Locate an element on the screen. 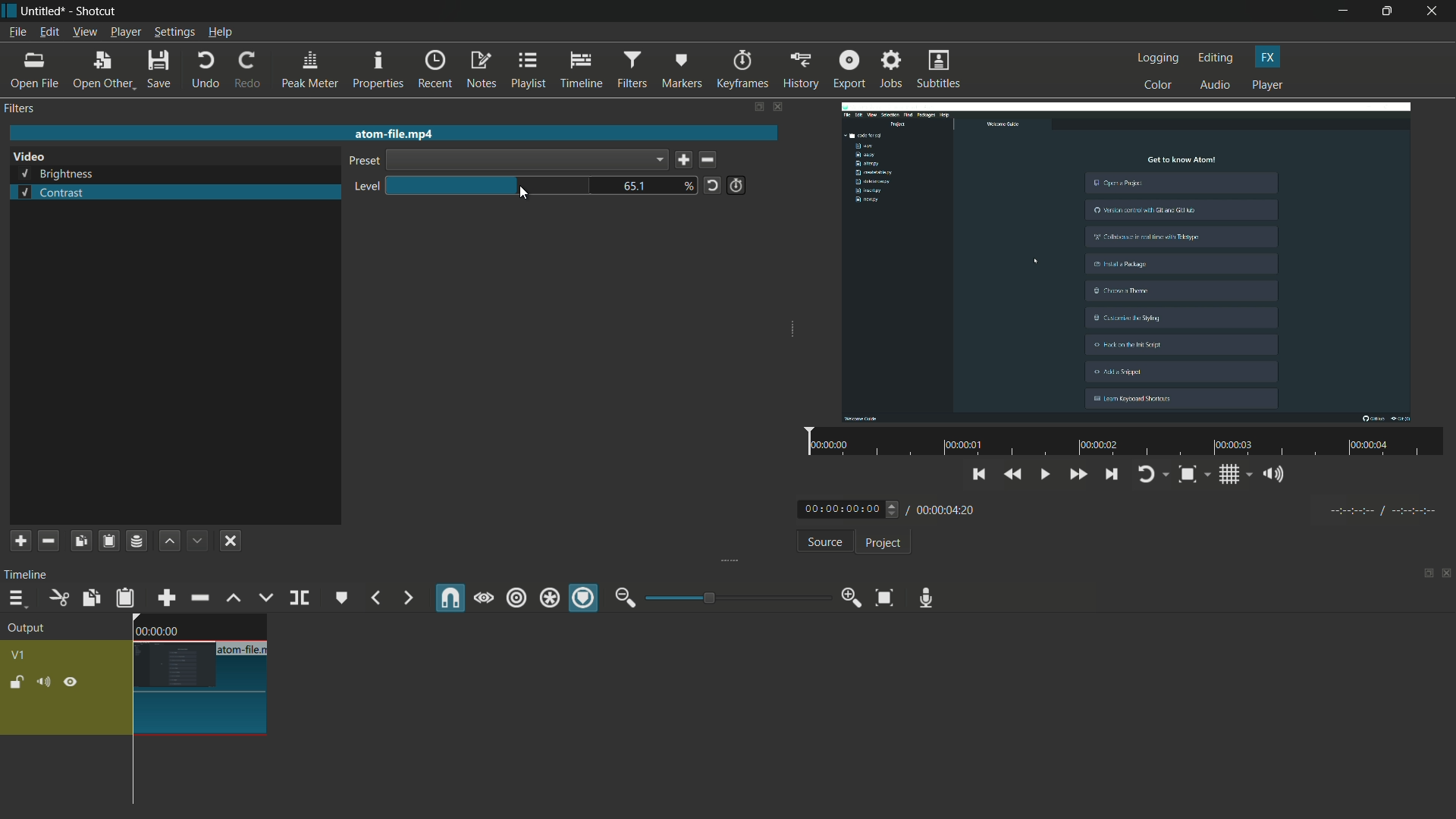 This screenshot has width=1456, height=819. notes is located at coordinates (483, 71).